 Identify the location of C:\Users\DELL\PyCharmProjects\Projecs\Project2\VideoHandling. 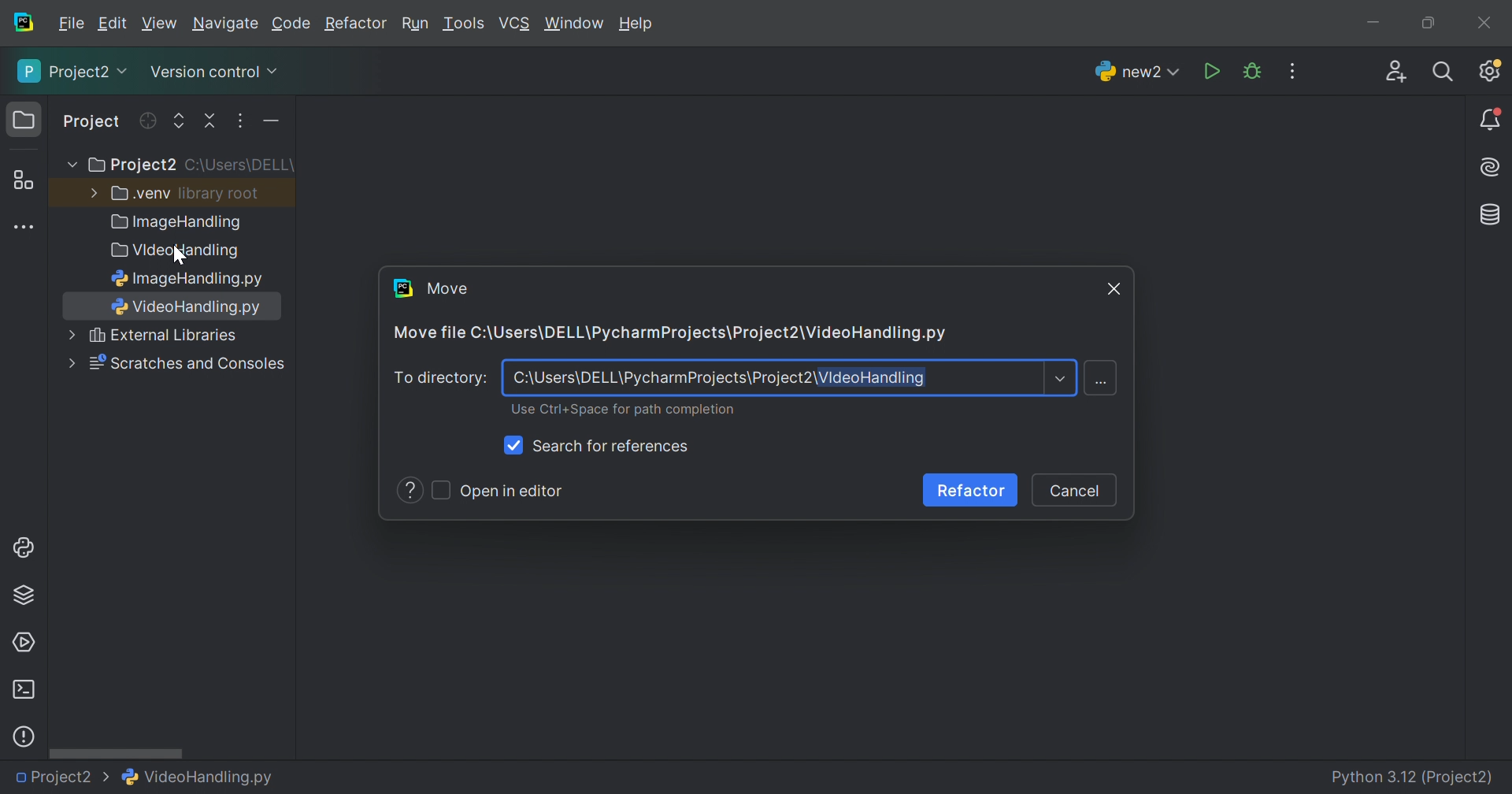
(717, 380).